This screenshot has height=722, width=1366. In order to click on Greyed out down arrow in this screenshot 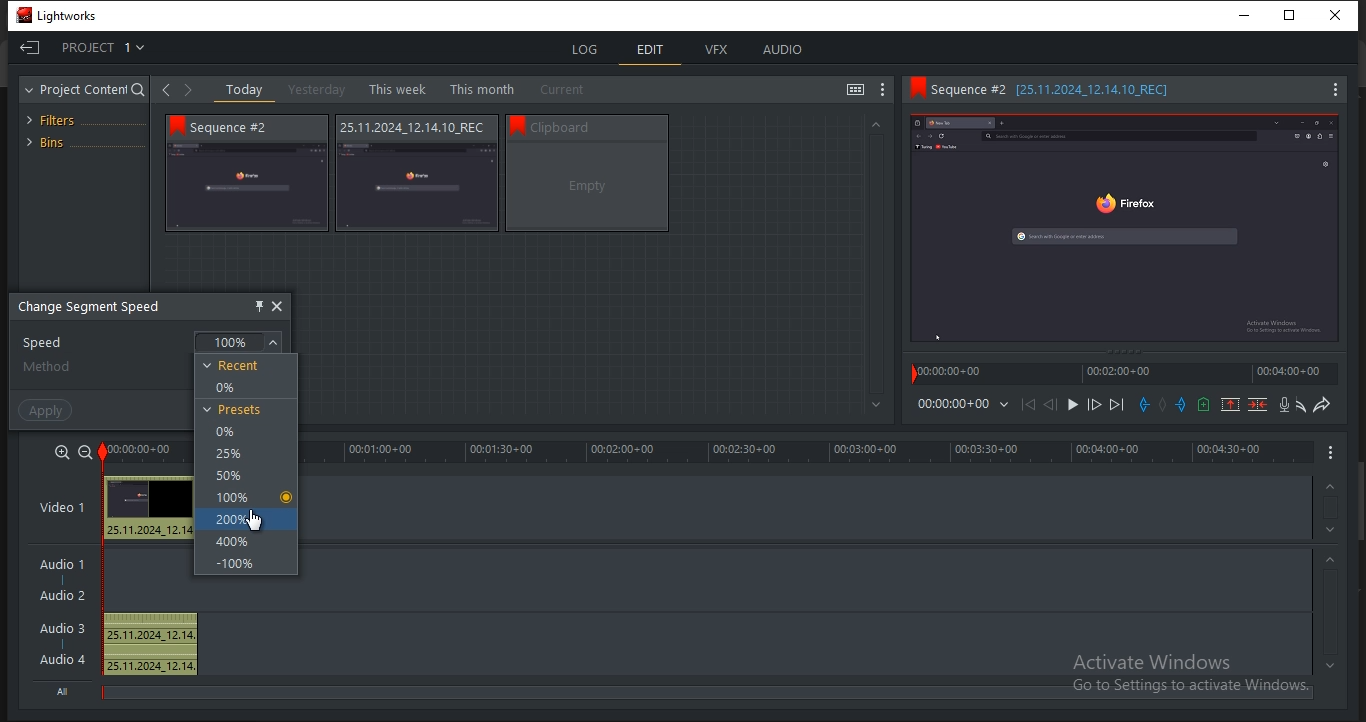, I will do `click(875, 406)`.